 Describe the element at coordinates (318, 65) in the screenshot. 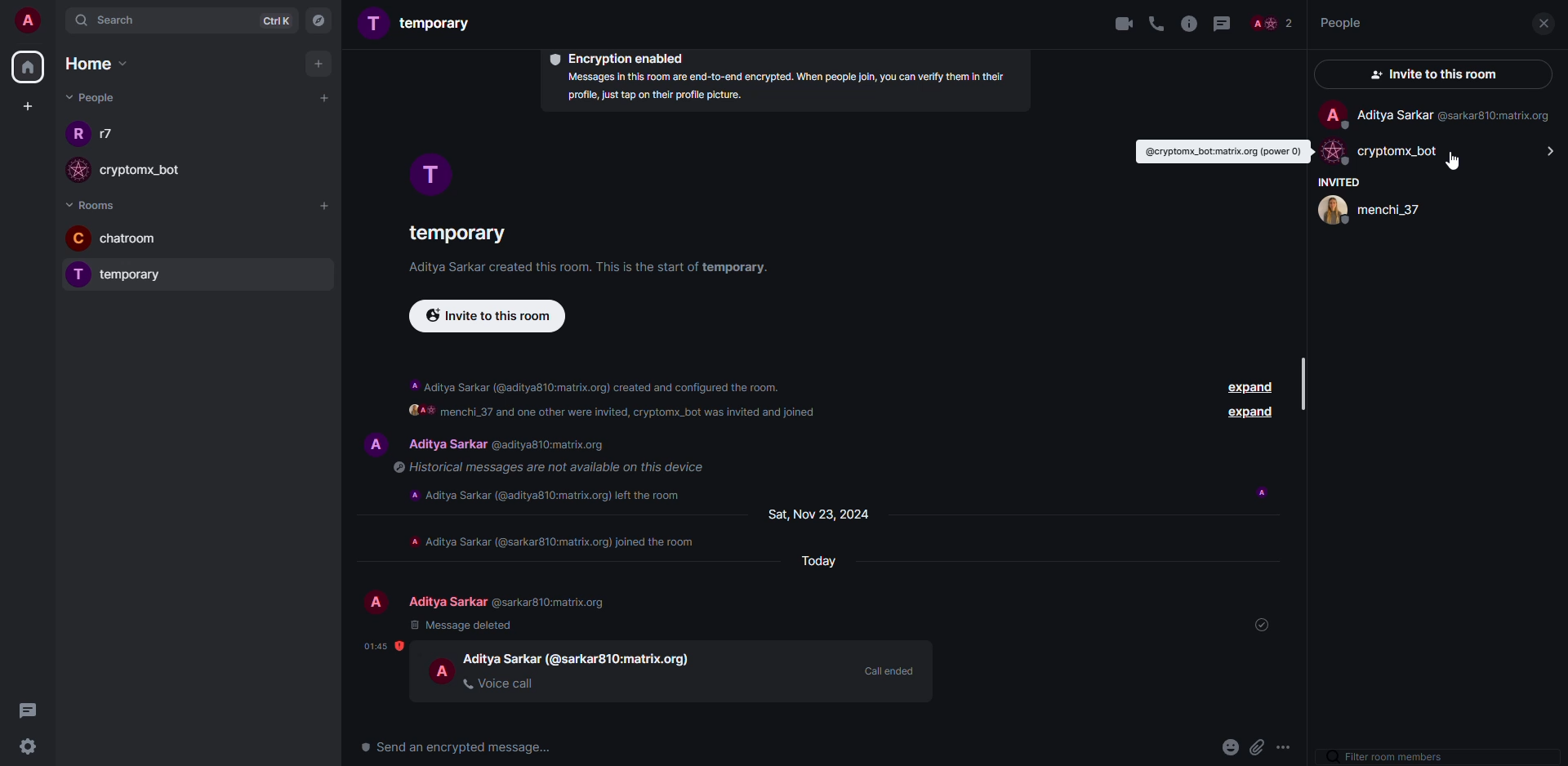

I see `add` at that location.